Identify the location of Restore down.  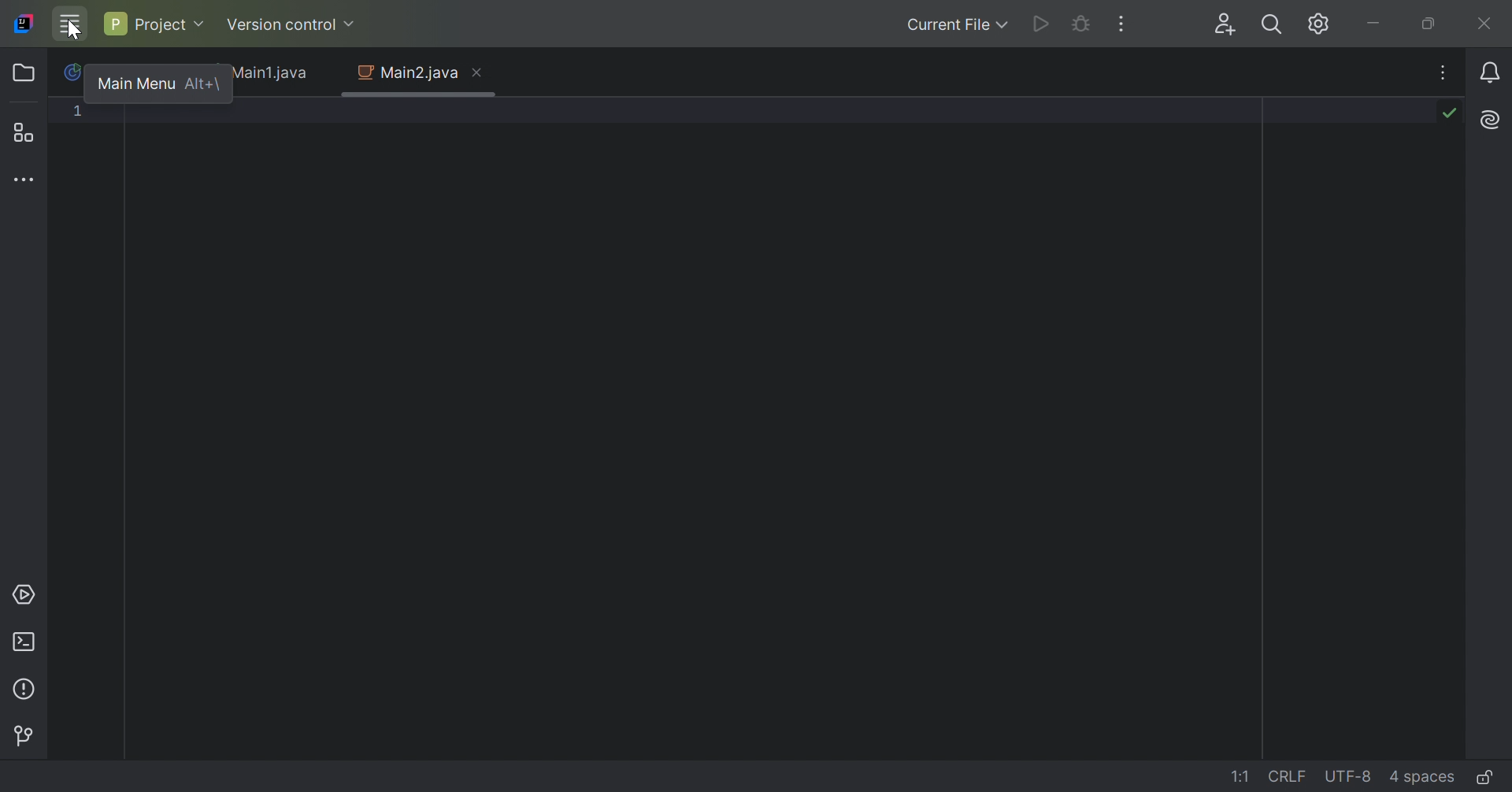
(1434, 24).